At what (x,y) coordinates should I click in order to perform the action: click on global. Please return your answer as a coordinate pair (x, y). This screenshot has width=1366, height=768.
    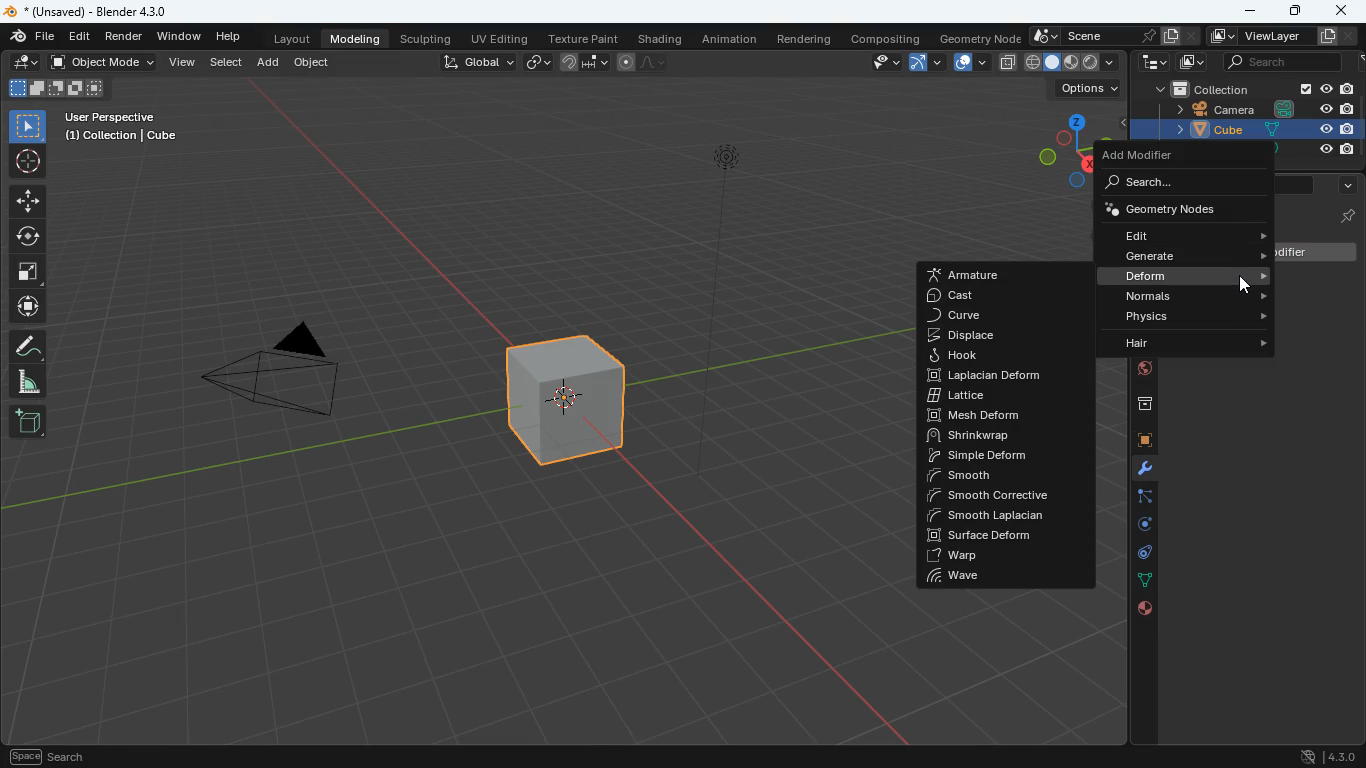
    Looking at the image, I should click on (478, 62).